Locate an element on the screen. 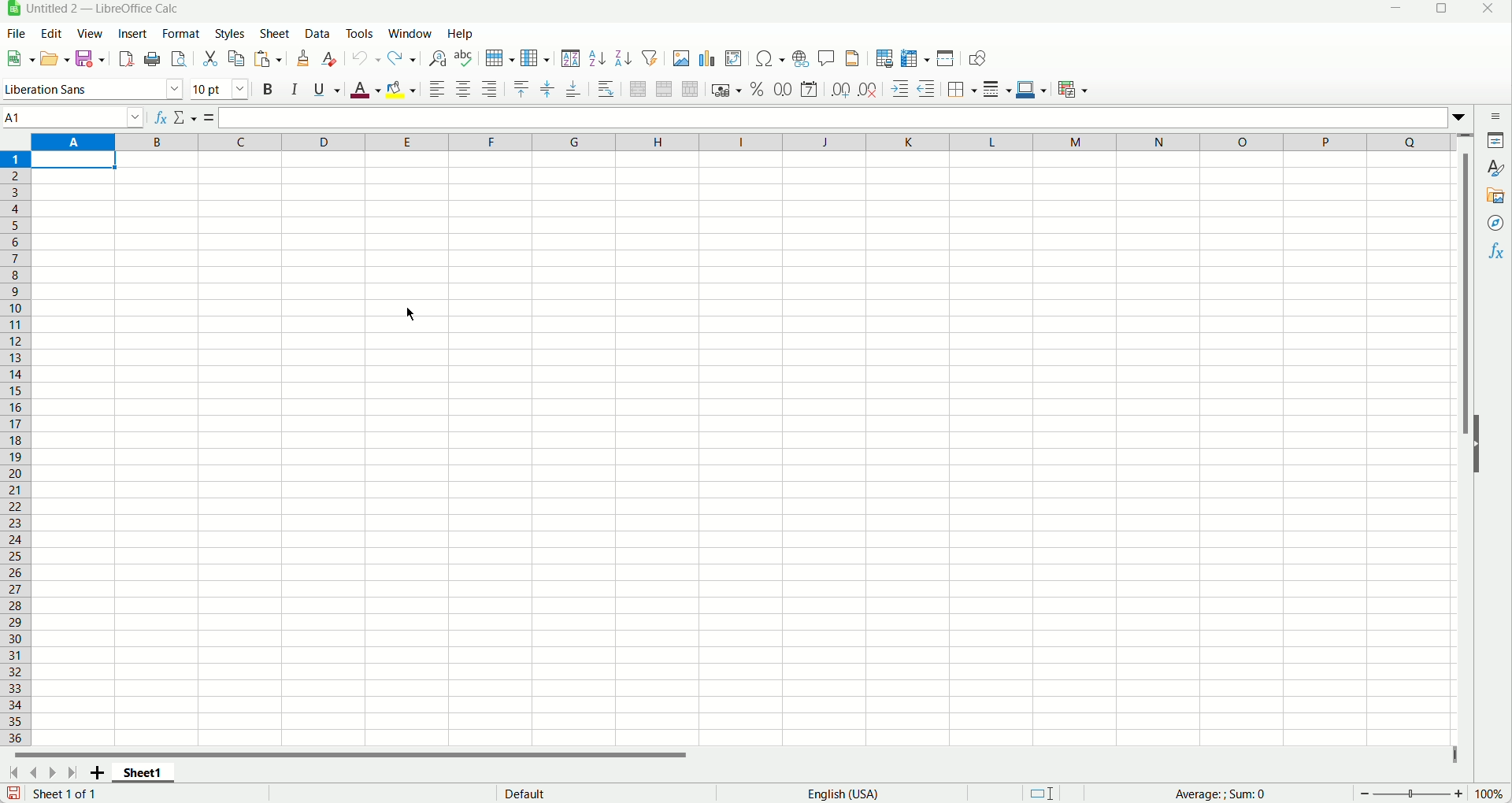  Borders is located at coordinates (962, 90).